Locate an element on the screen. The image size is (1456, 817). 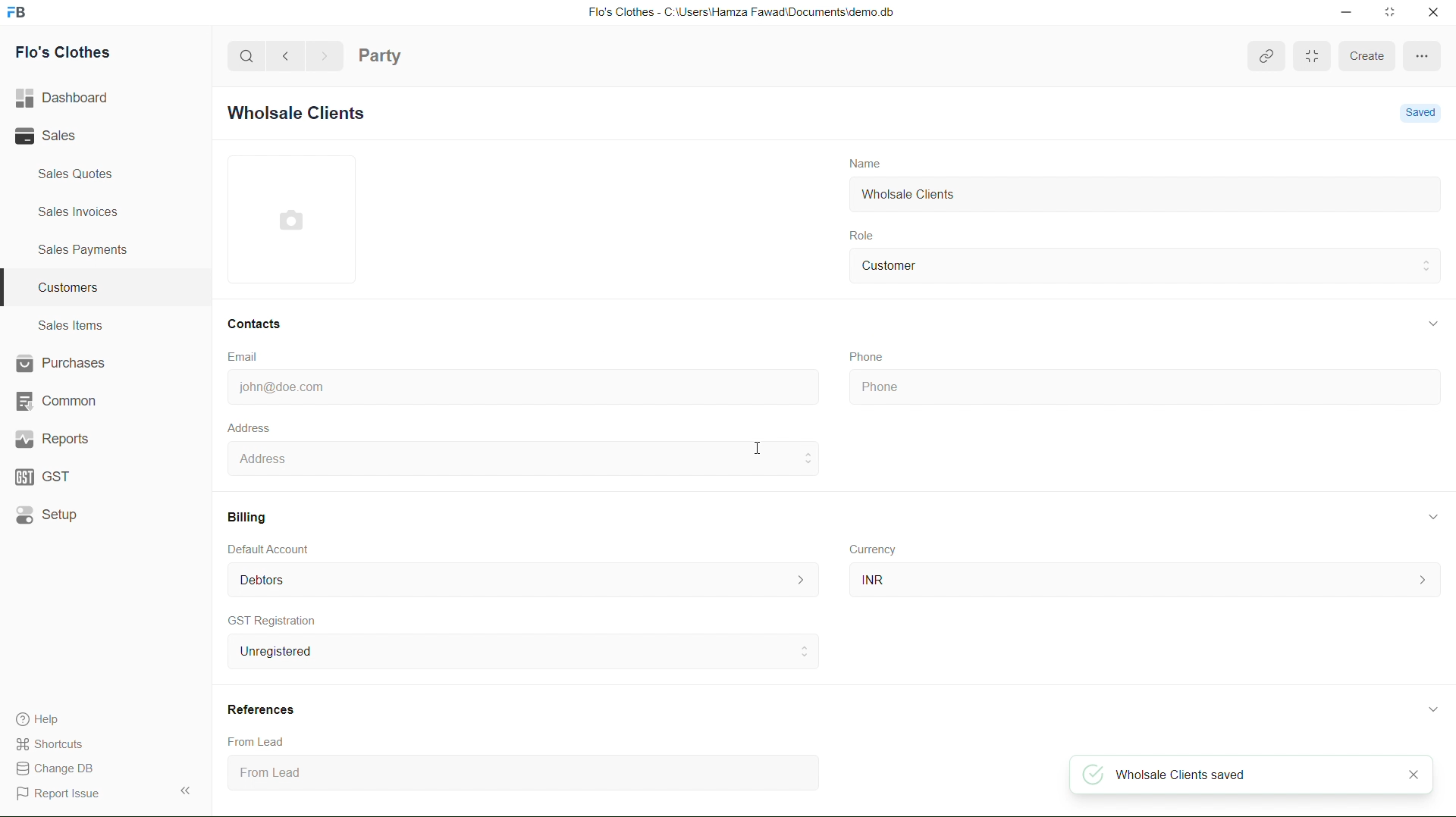
Customers is located at coordinates (64, 288).